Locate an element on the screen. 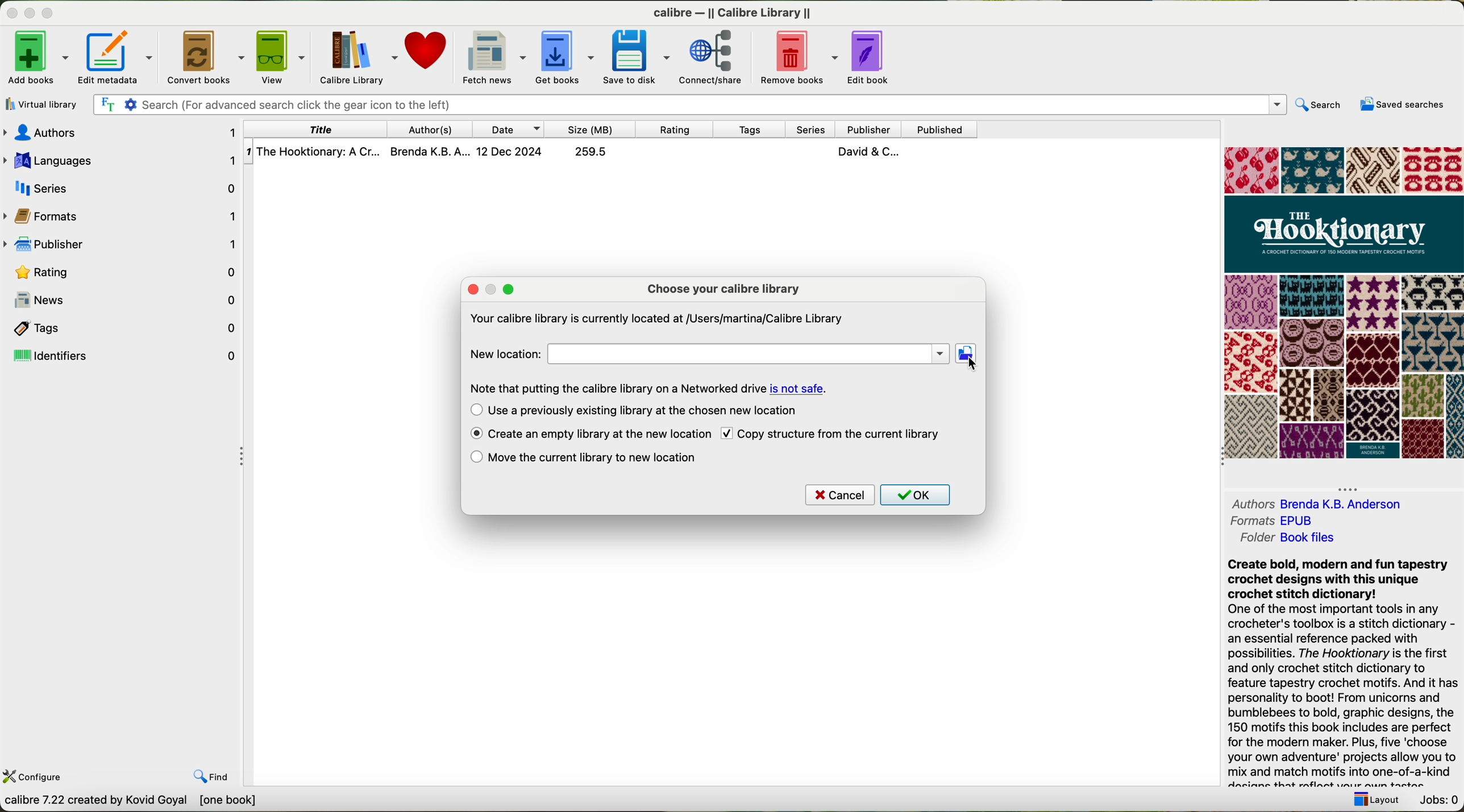  configure is located at coordinates (36, 776).